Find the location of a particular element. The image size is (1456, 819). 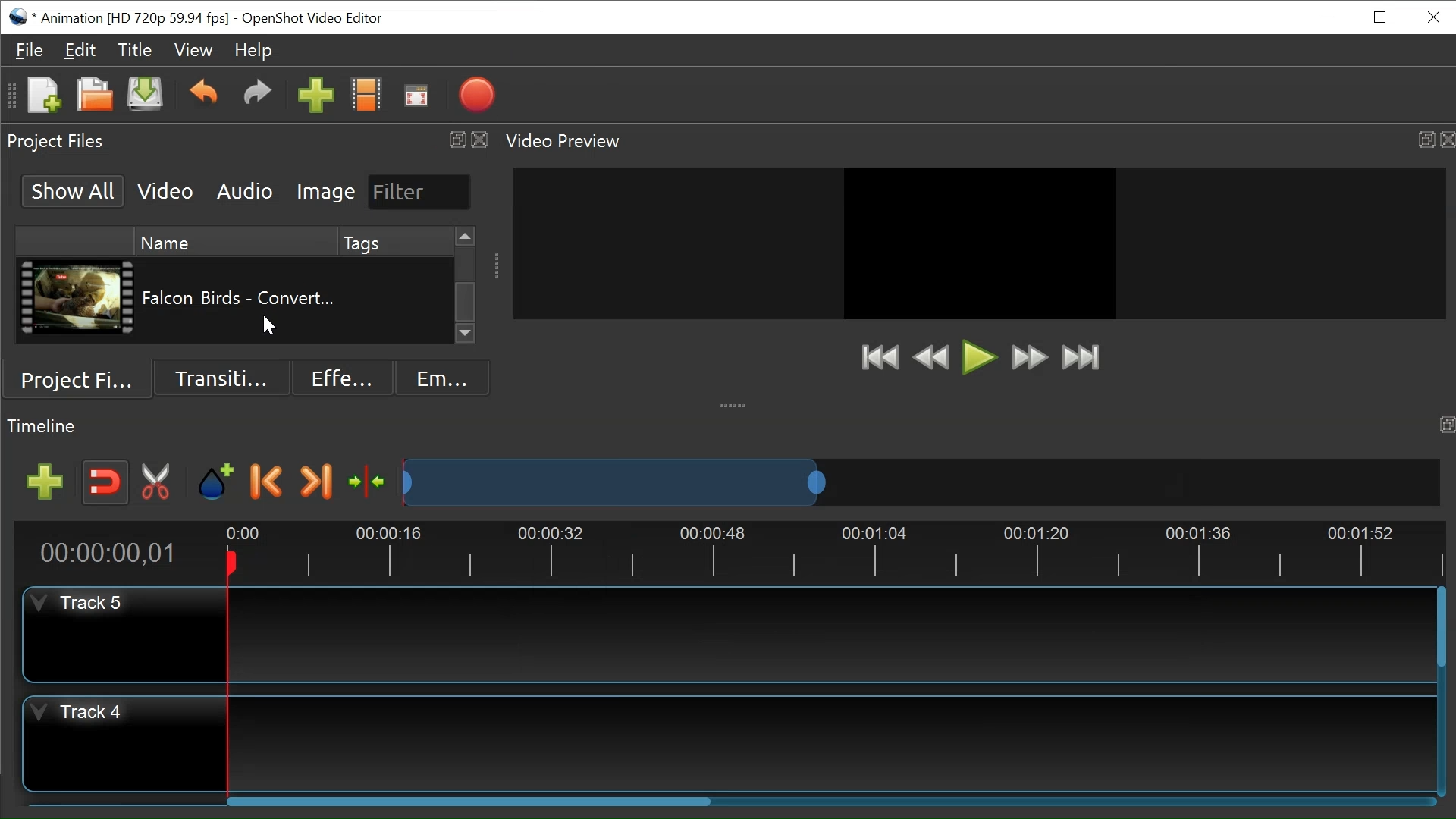

Choose Files is located at coordinates (367, 96).